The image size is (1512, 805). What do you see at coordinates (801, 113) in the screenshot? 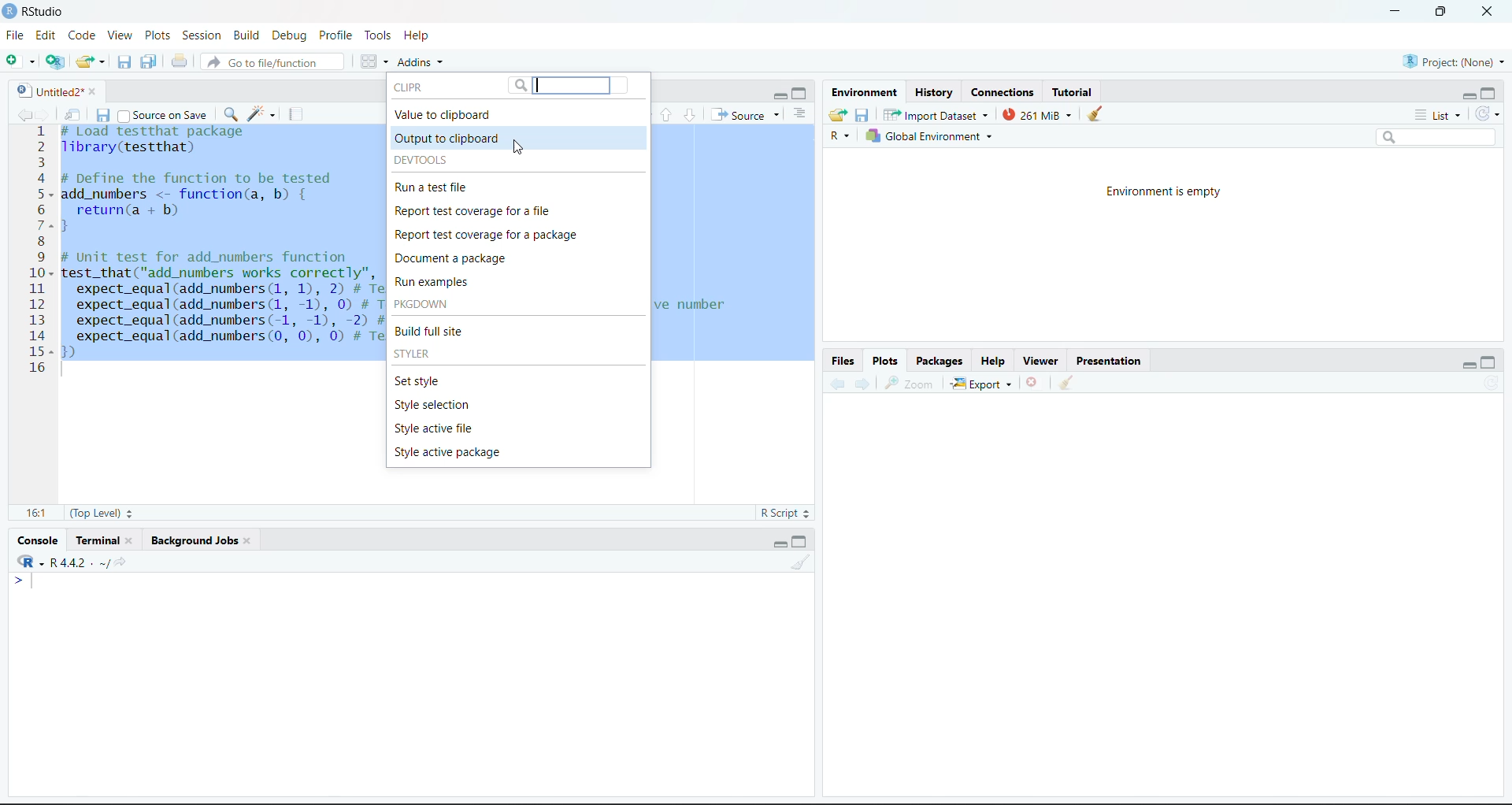
I see `Show document outline` at bounding box center [801, 113].